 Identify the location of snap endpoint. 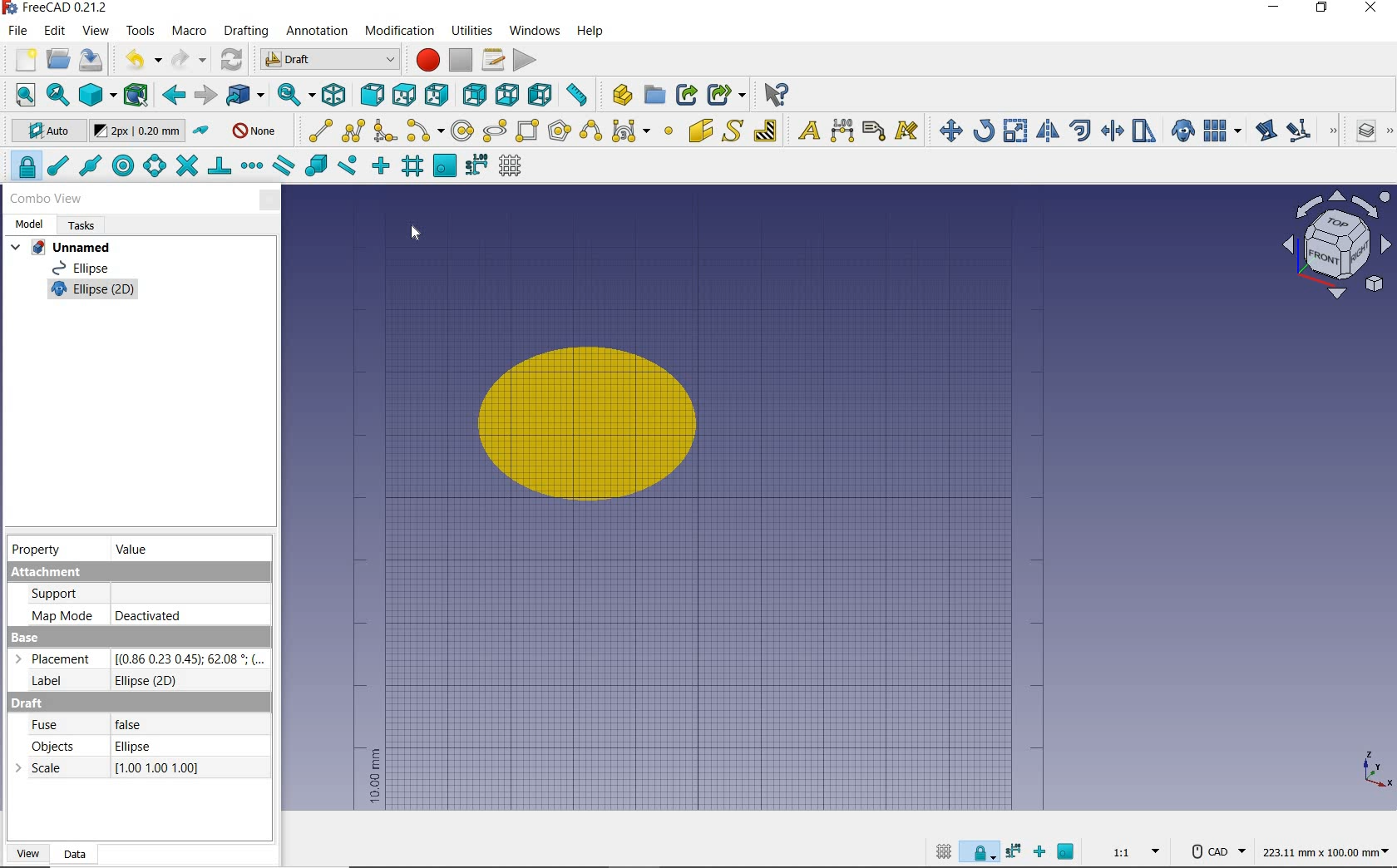
(59, 166).